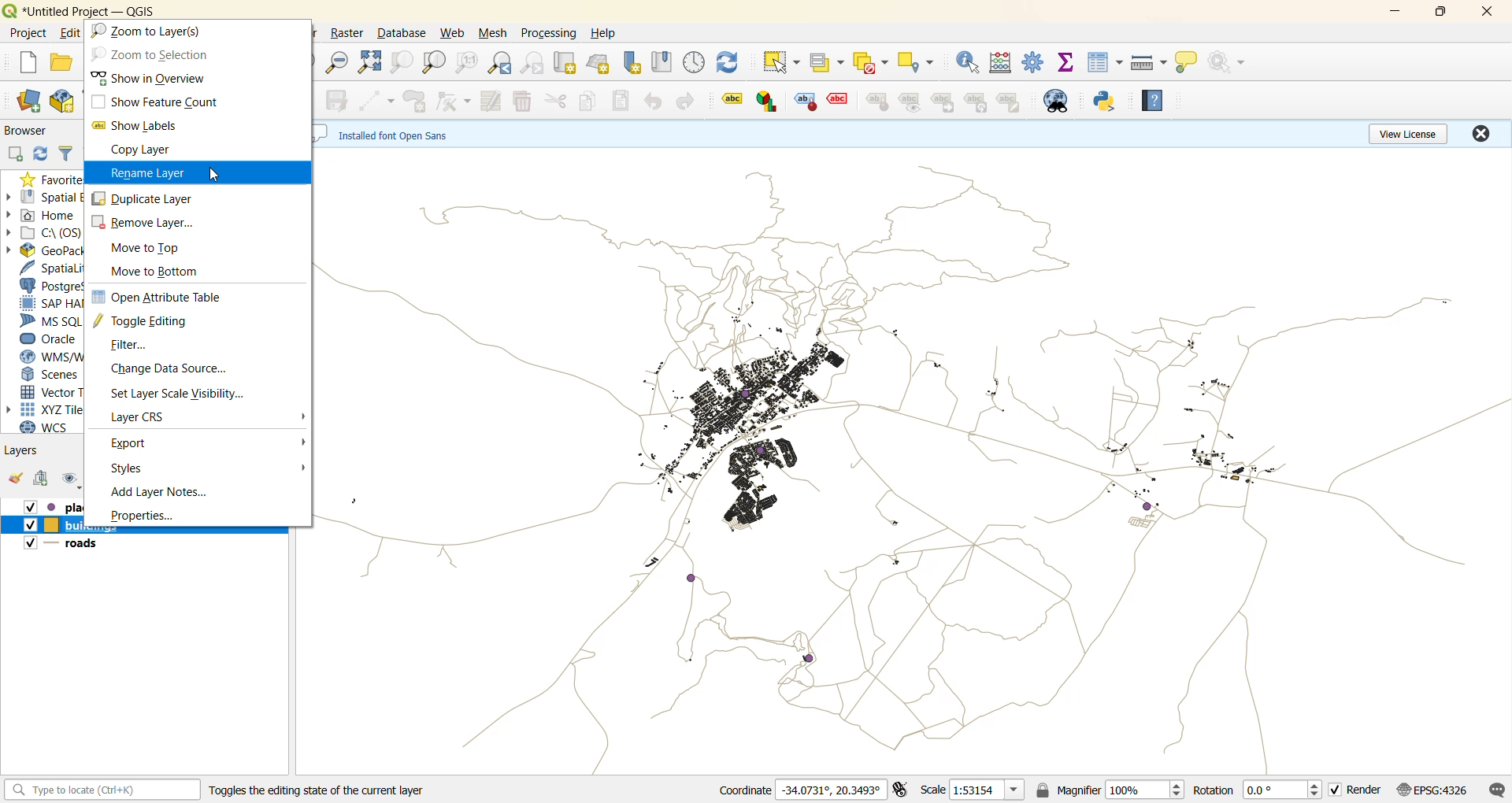 This screenshot has height=803, width=1512. I want to click on magnifier, so click(1121, 792).